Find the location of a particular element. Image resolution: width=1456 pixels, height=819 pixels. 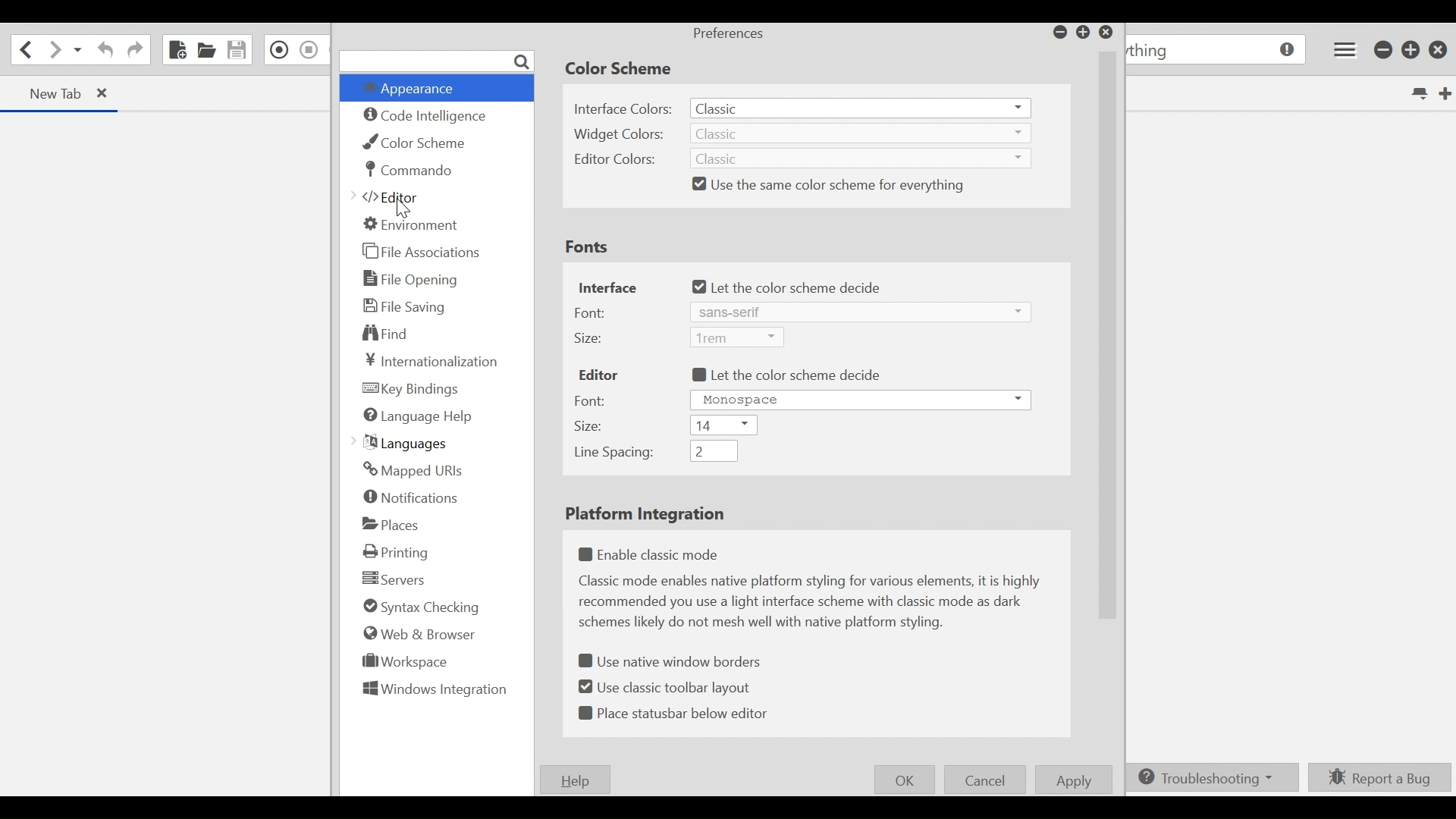

Vertical Scrollbar is located at coordinates (1108, 332).